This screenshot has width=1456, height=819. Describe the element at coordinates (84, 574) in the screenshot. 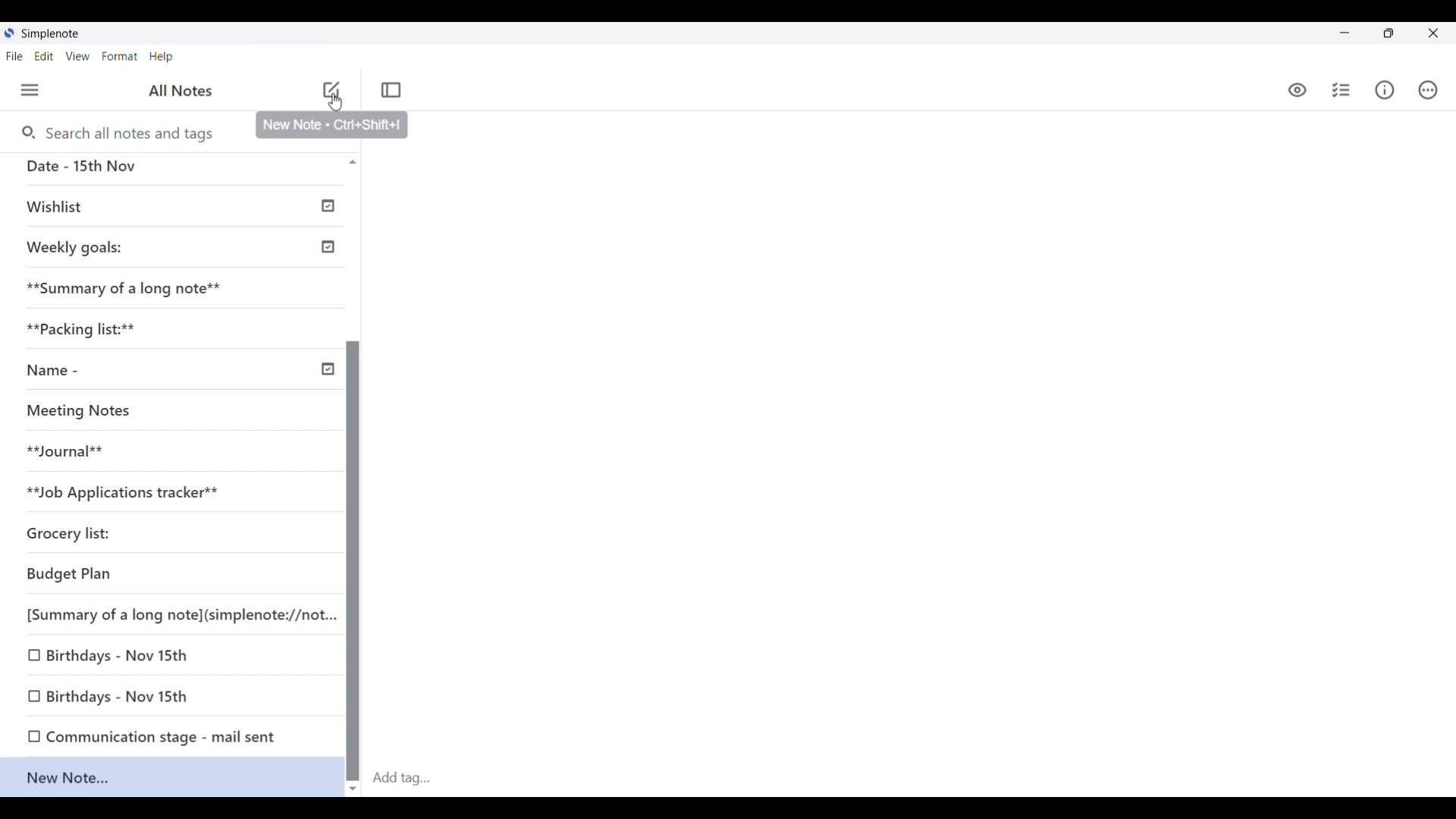

I see `Budget Plan` at that location.